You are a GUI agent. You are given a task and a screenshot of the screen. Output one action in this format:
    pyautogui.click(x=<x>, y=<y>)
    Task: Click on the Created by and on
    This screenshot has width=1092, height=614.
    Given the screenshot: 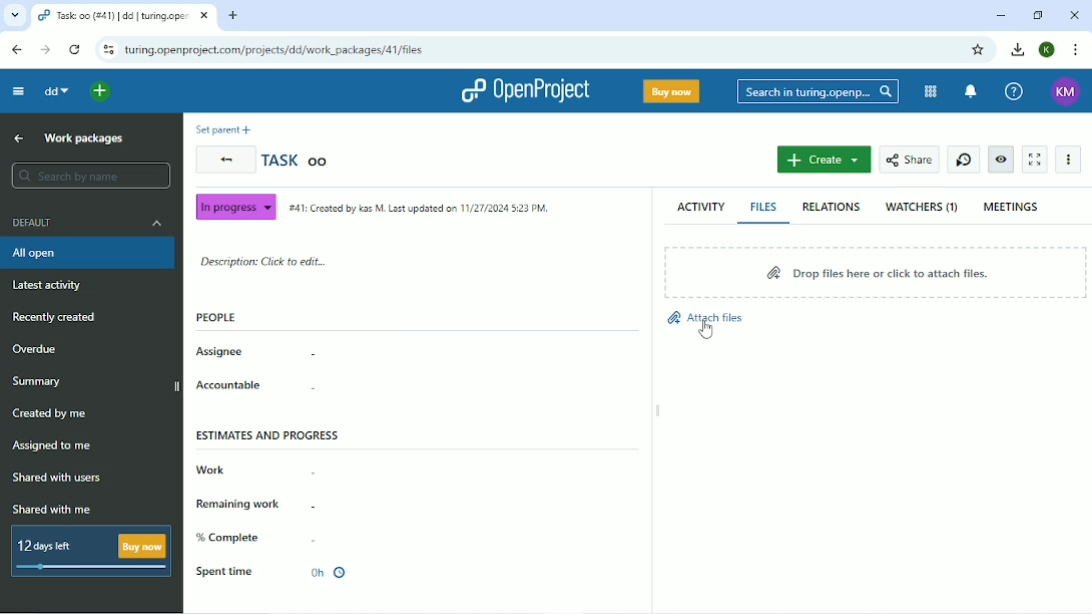 What is the action you would take?
    pyautogui.click(x=420, y=208)
    